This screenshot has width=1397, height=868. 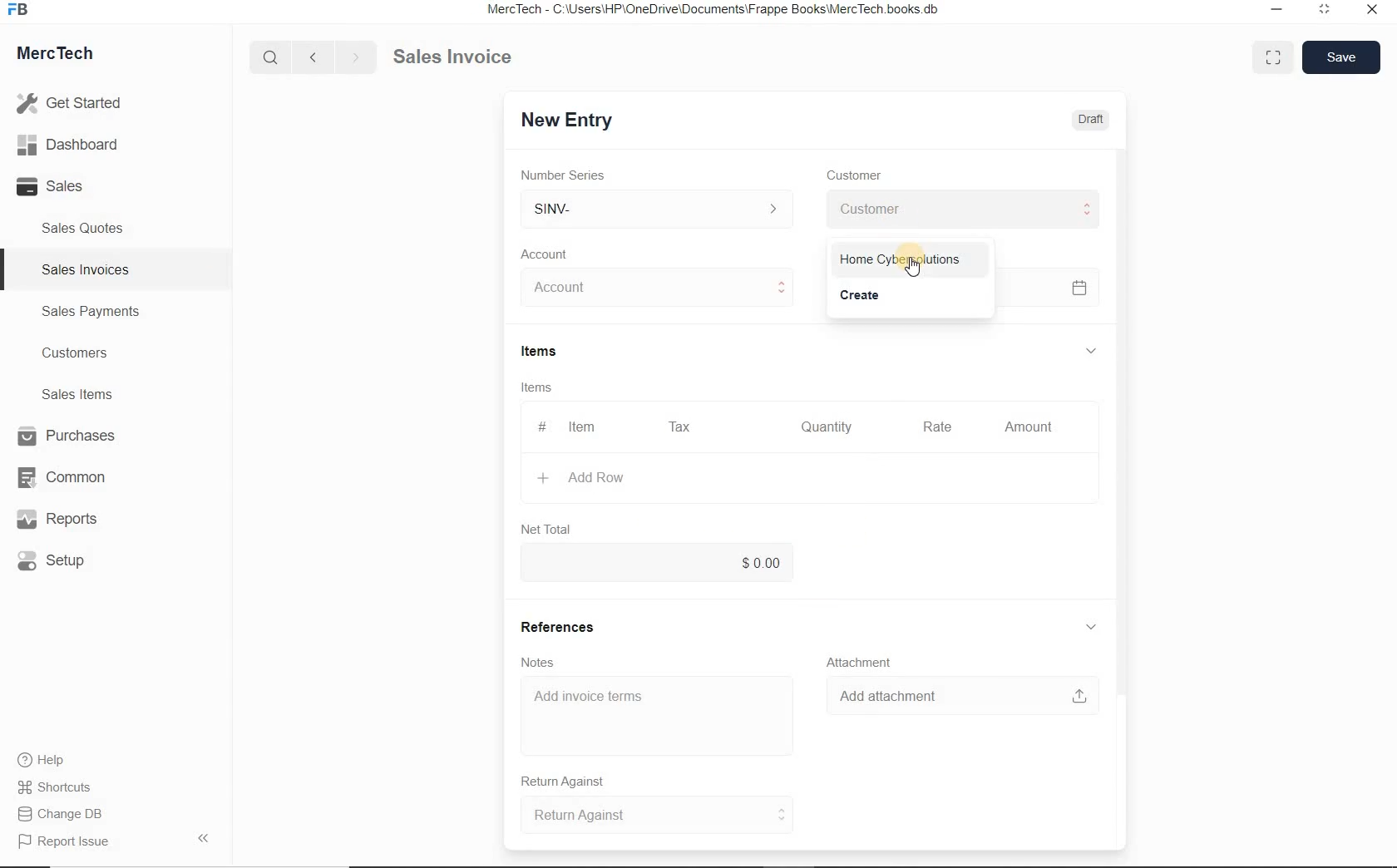 I want to click on Sales Quotes, so click(x=86, y=228).